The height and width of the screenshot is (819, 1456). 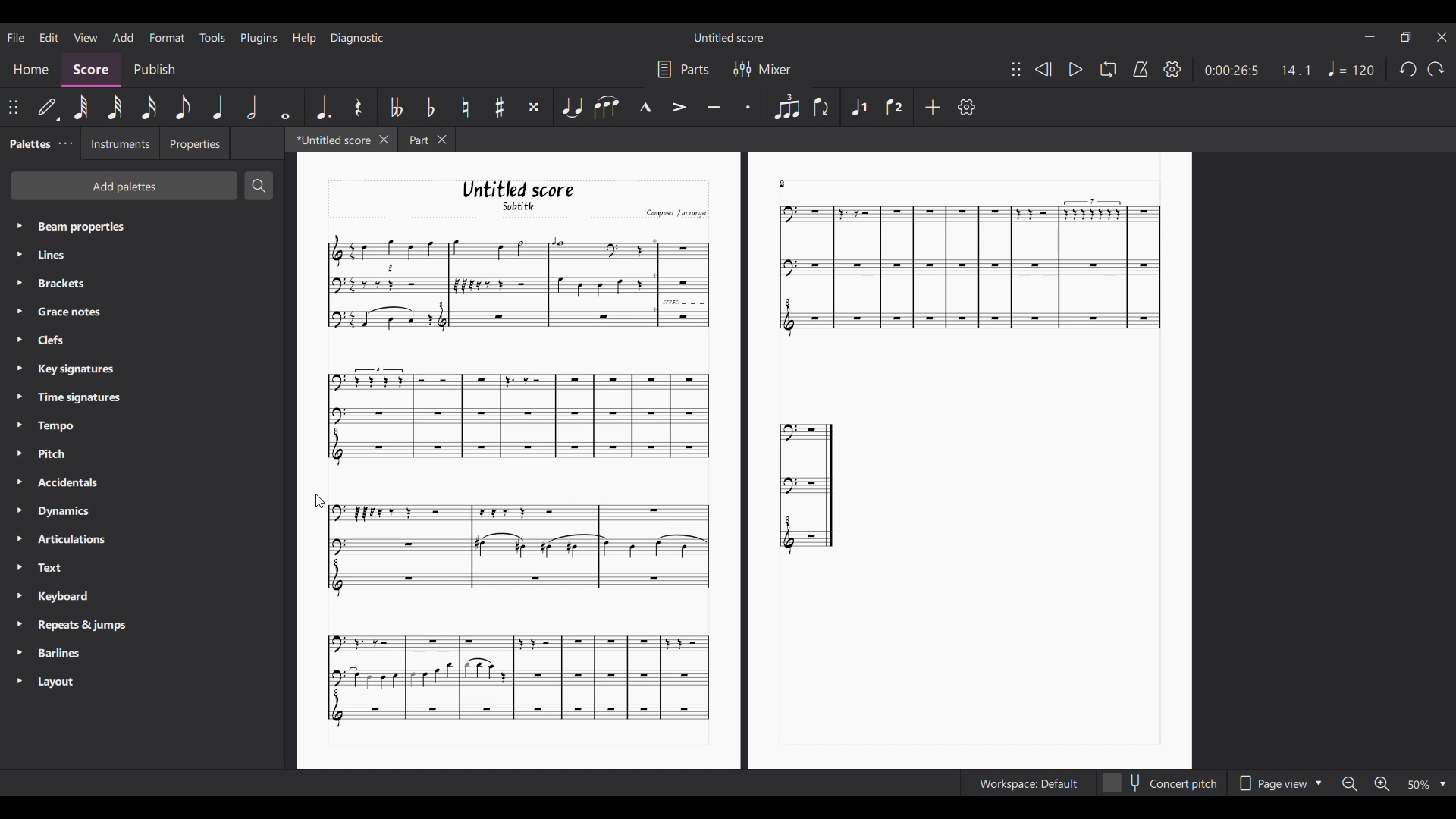 What do you see at coordinates (1108, 68) in the screenshot?
I see `Loop playback` at bounding box center [1108, 68].